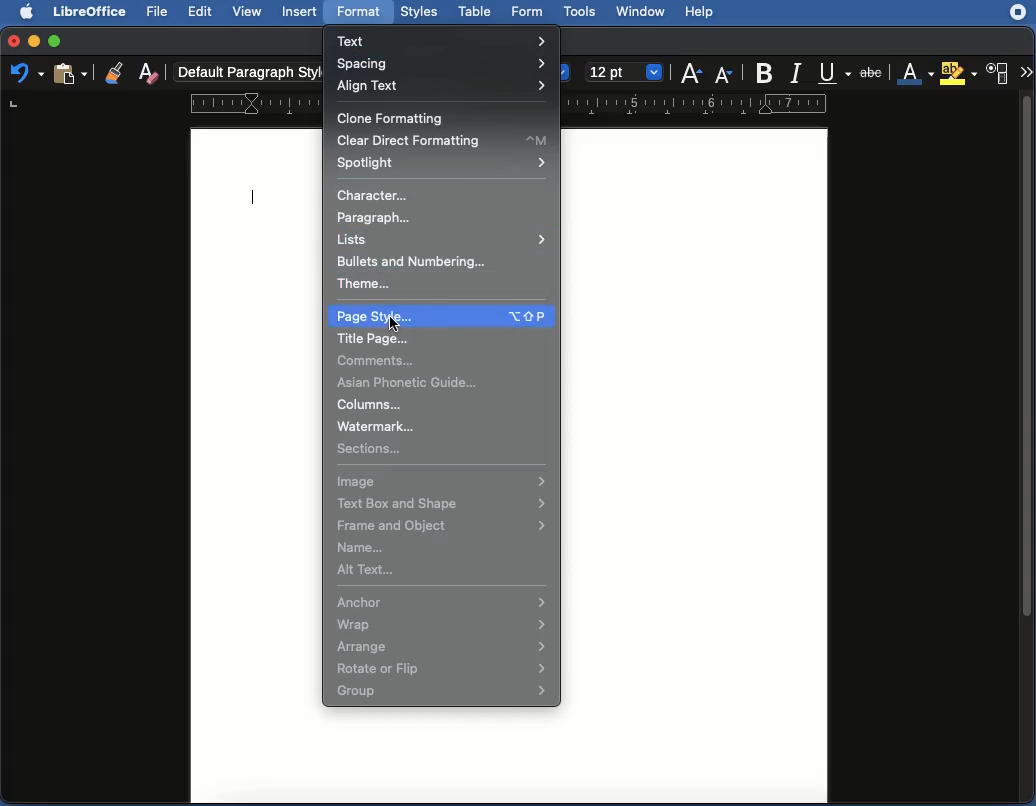 The width and height of the screenshot is (1036, 806). I want to click on Lists, so click(443, 238).